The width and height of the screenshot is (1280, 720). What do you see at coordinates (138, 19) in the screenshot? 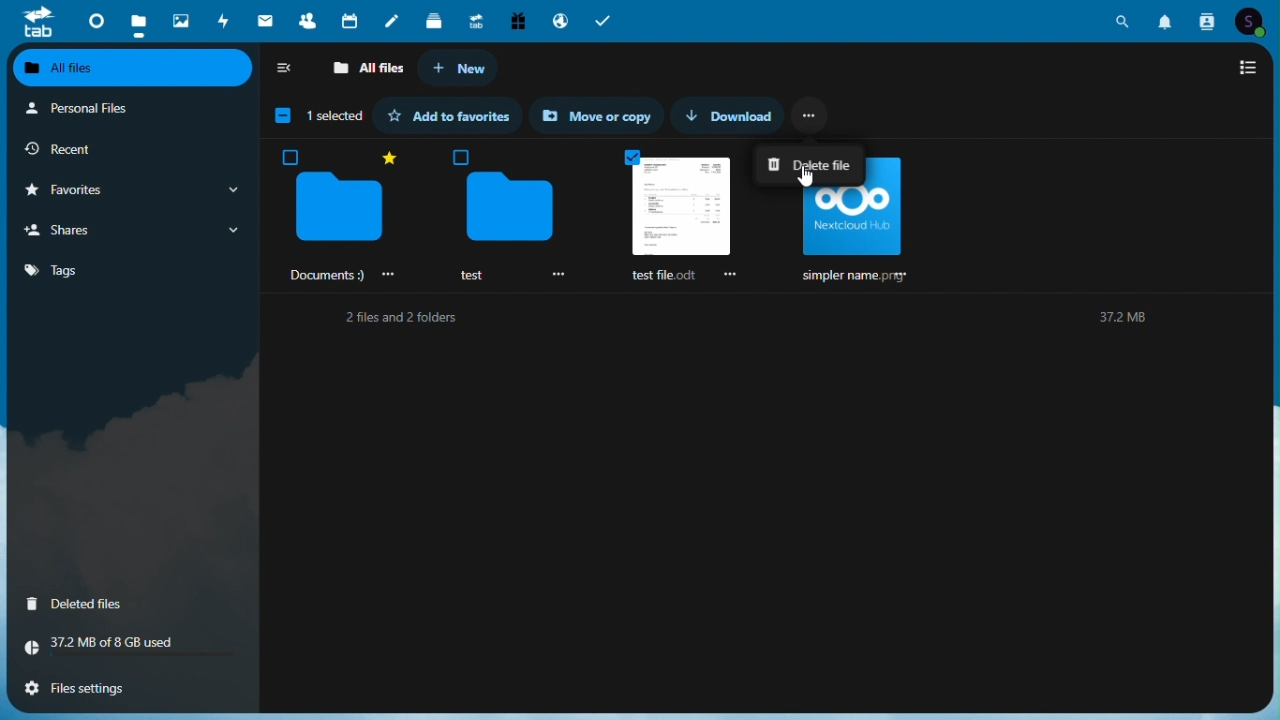
I see `Files` at bounding box center [138, 19].